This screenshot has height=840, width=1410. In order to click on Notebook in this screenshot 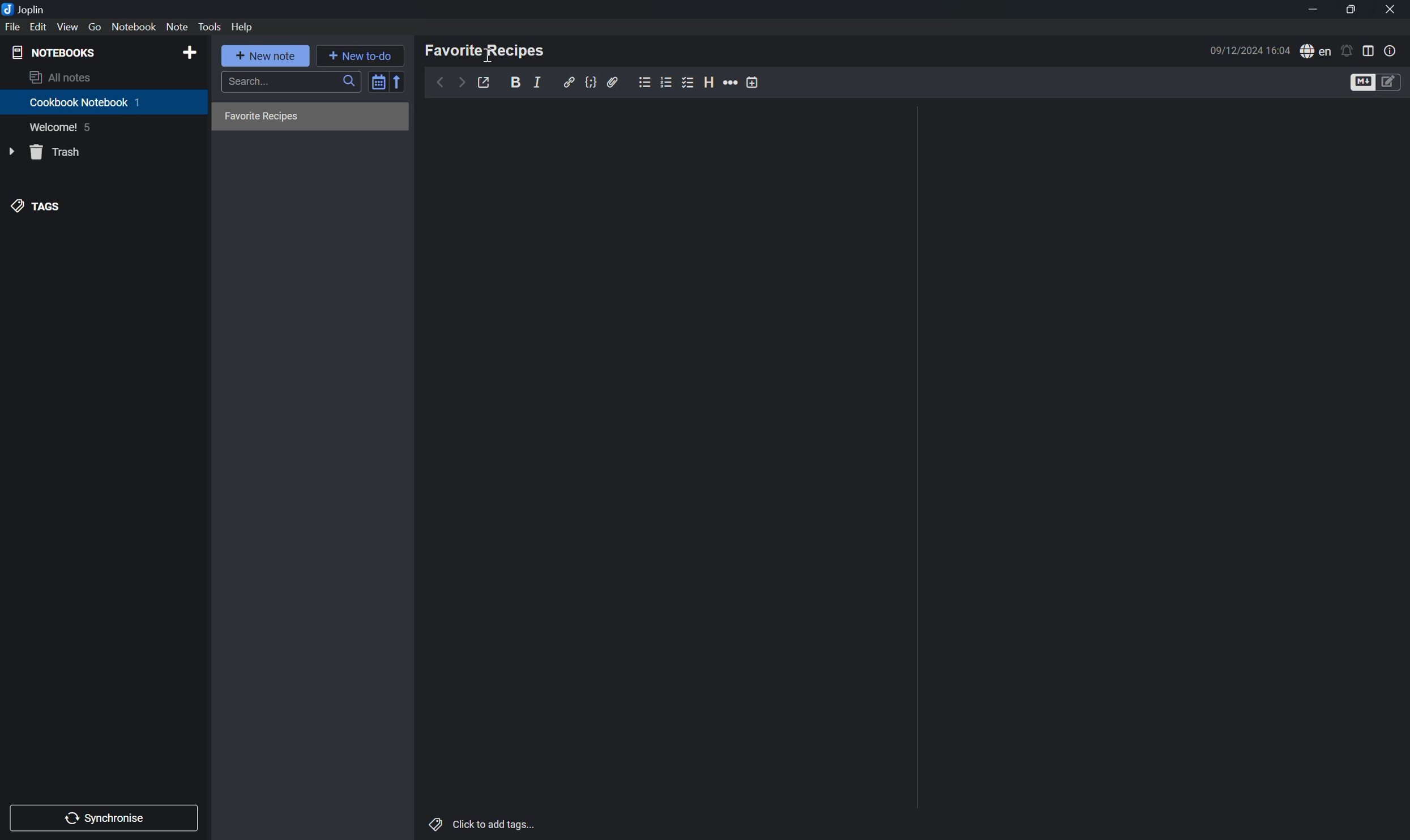, I will do `click(134, 27)`.